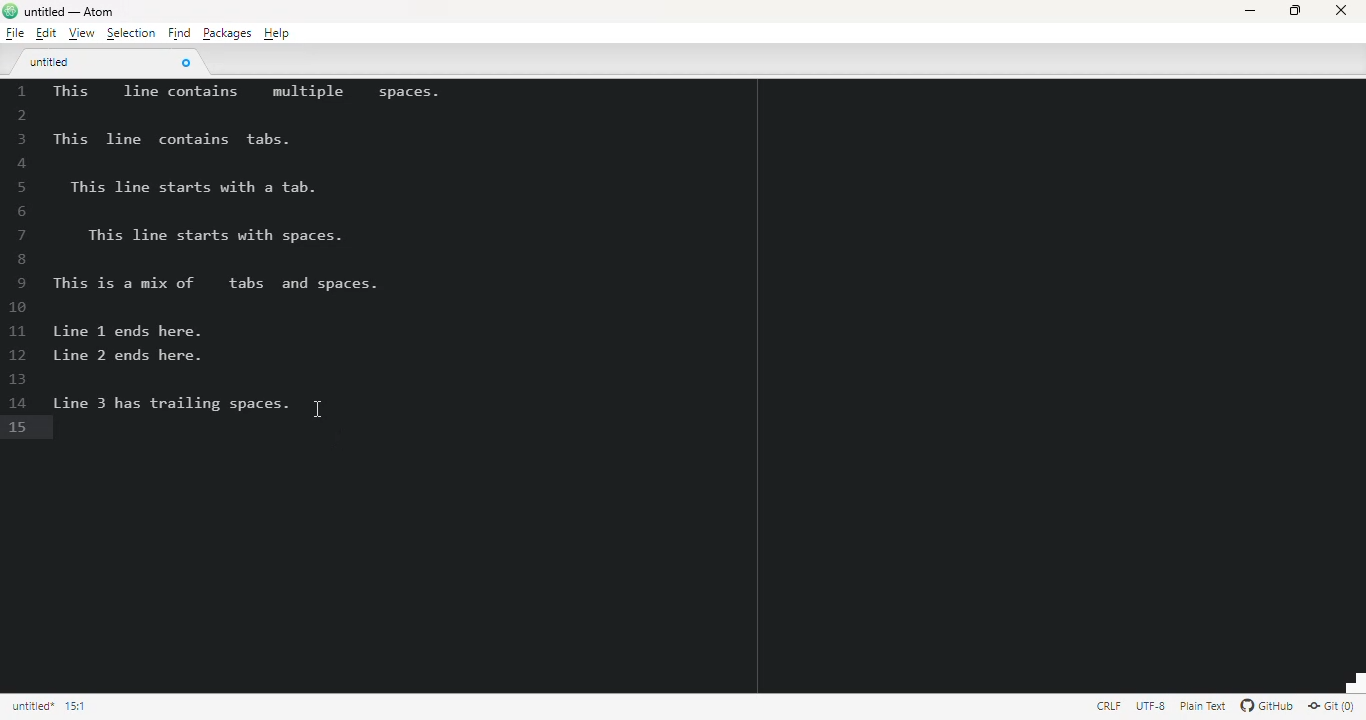  Describe the element at coordinates (1340, 10) in the screenshot. I see `close` at that location.